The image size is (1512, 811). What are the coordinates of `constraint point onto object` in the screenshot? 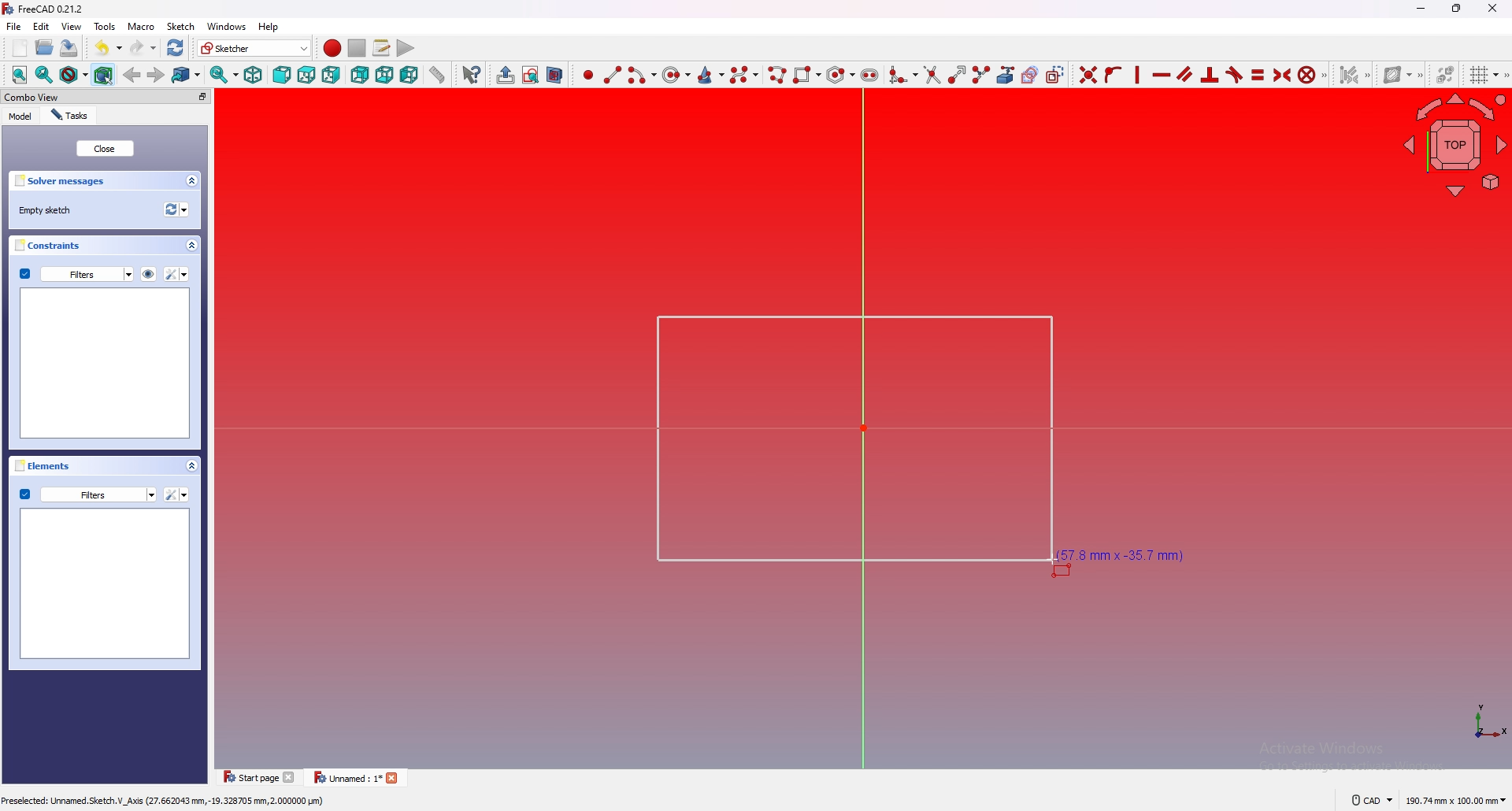 It's located at (1113, 75).